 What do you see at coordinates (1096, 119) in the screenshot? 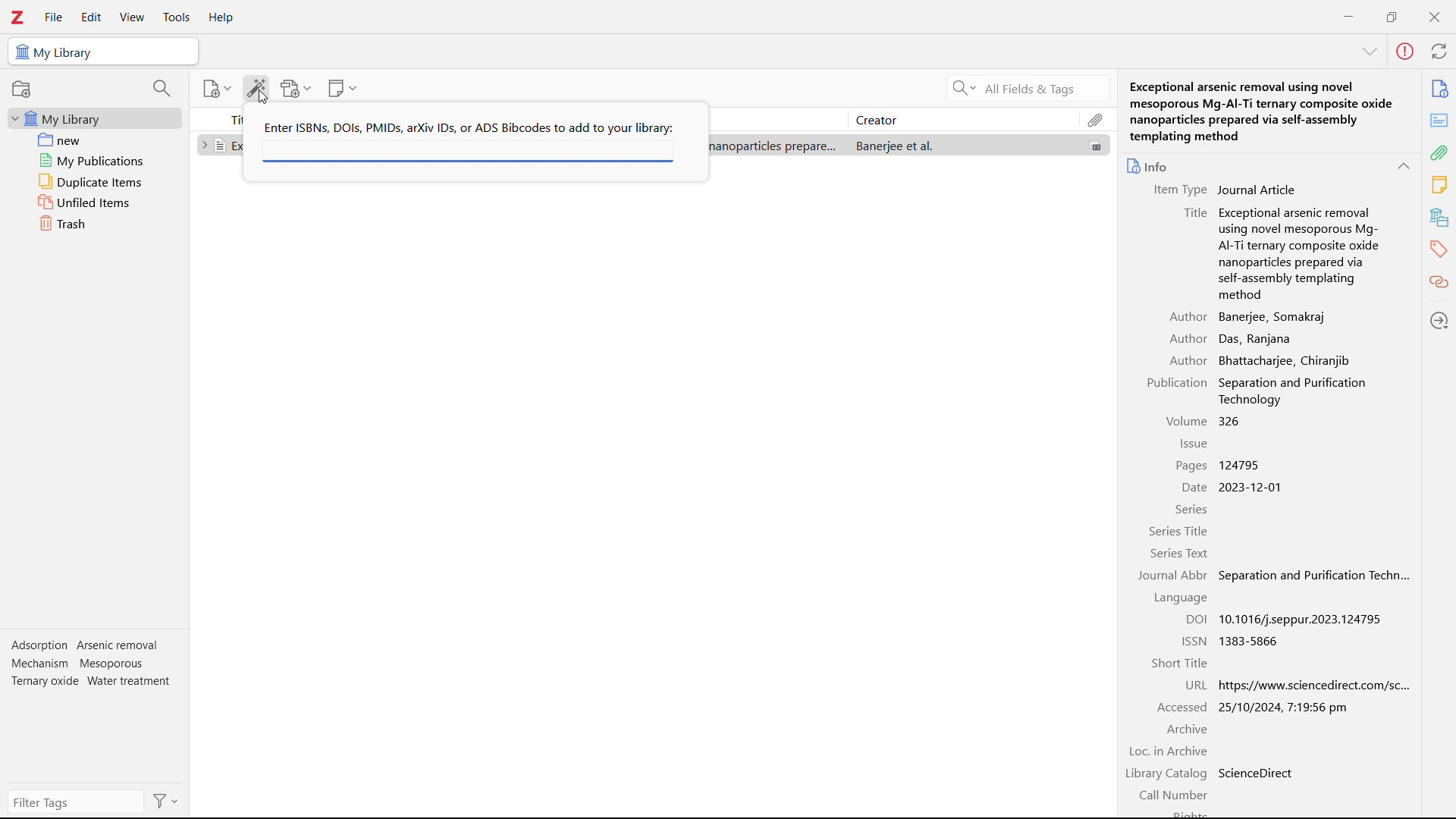
I see `attachments` at bounding box center [1096, 119].